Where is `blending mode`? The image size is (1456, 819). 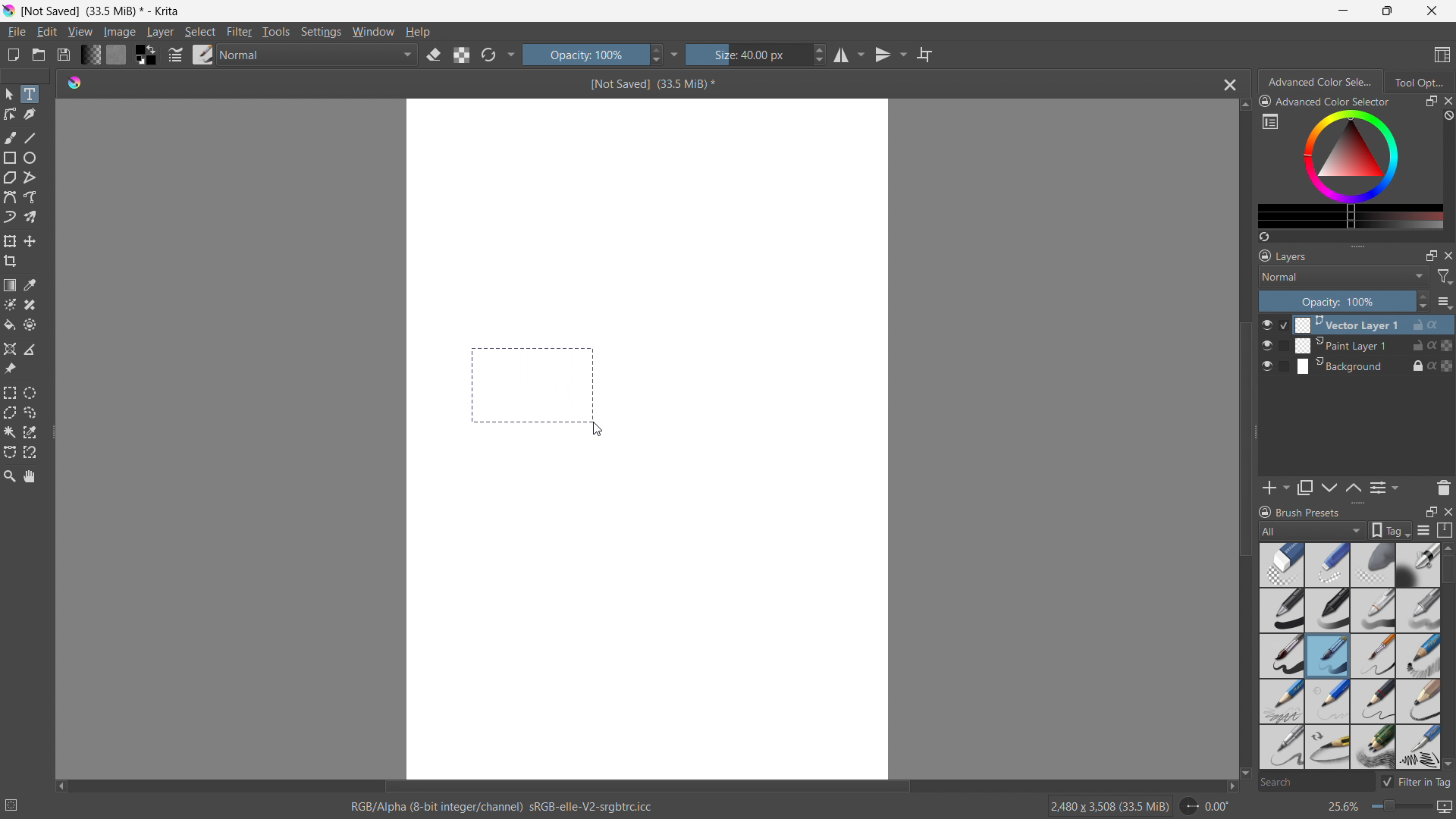
blending mode is located at coordinates (318, 55).